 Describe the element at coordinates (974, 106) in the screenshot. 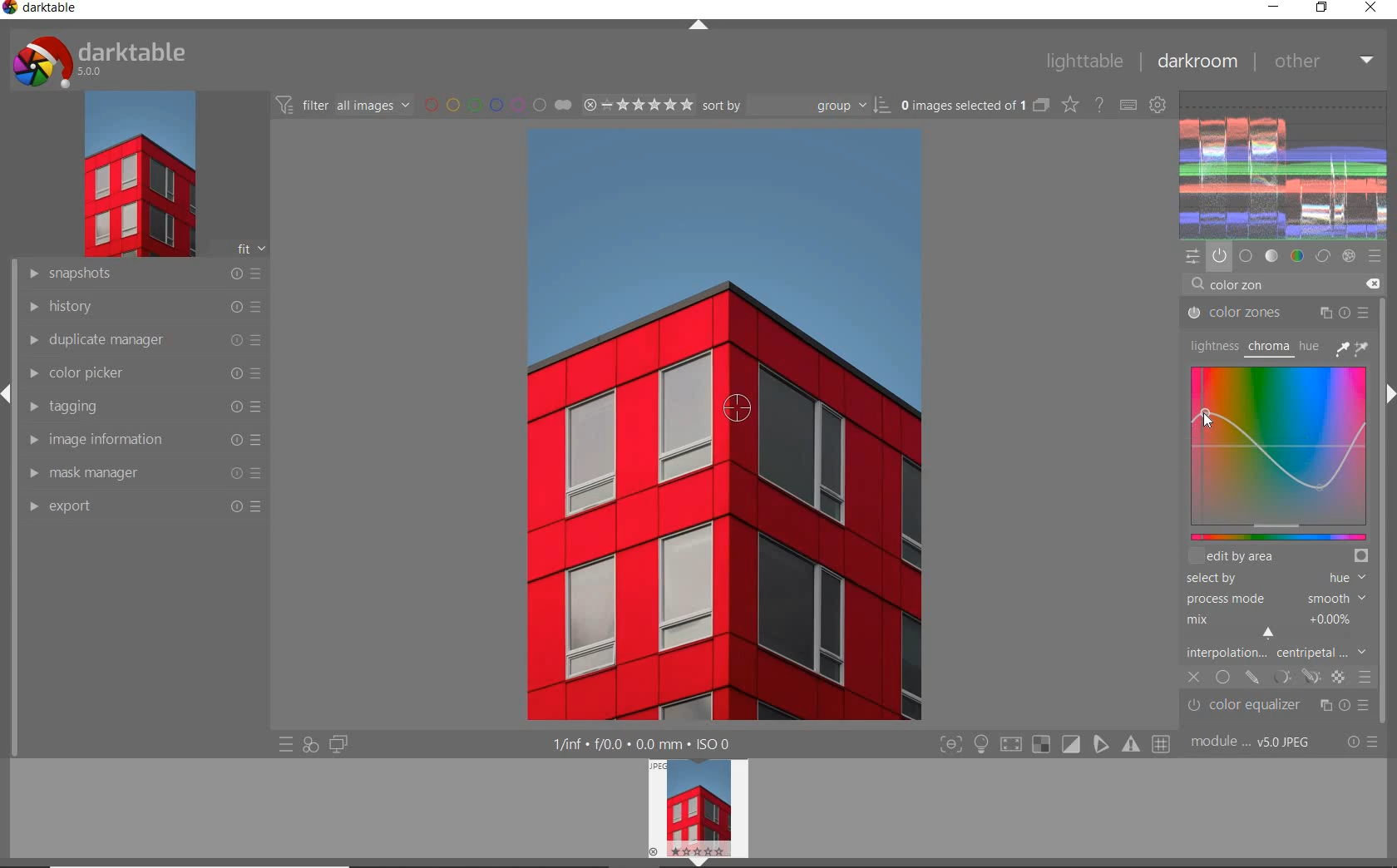

I see `selected images` at that location.